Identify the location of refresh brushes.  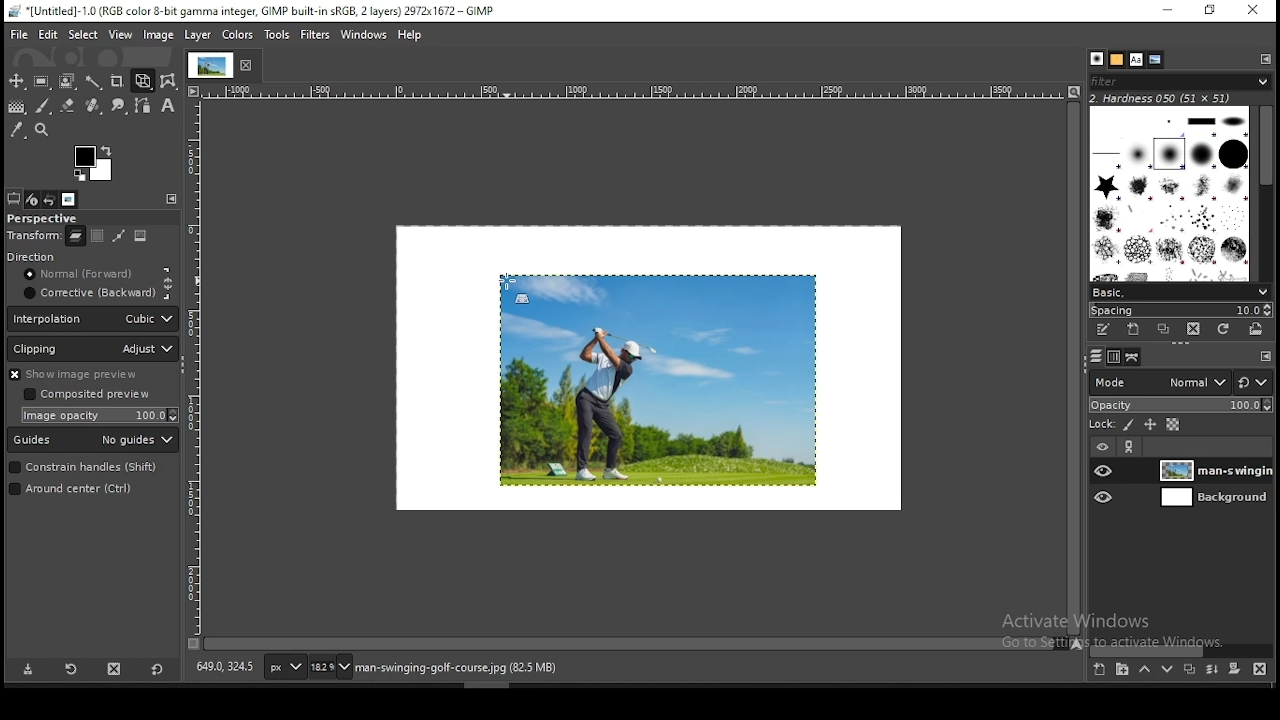
(1224, 328).